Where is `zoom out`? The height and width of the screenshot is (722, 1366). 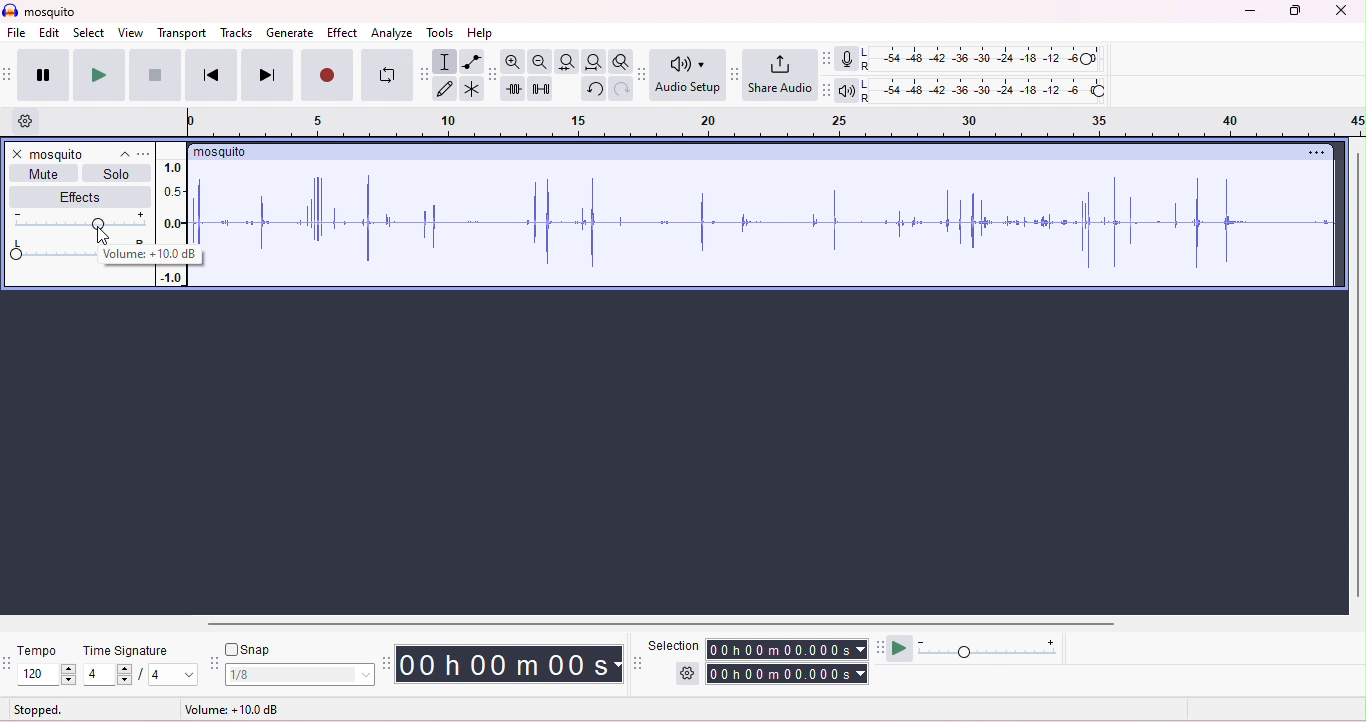
zoom out is located at coordinates (541, 62).